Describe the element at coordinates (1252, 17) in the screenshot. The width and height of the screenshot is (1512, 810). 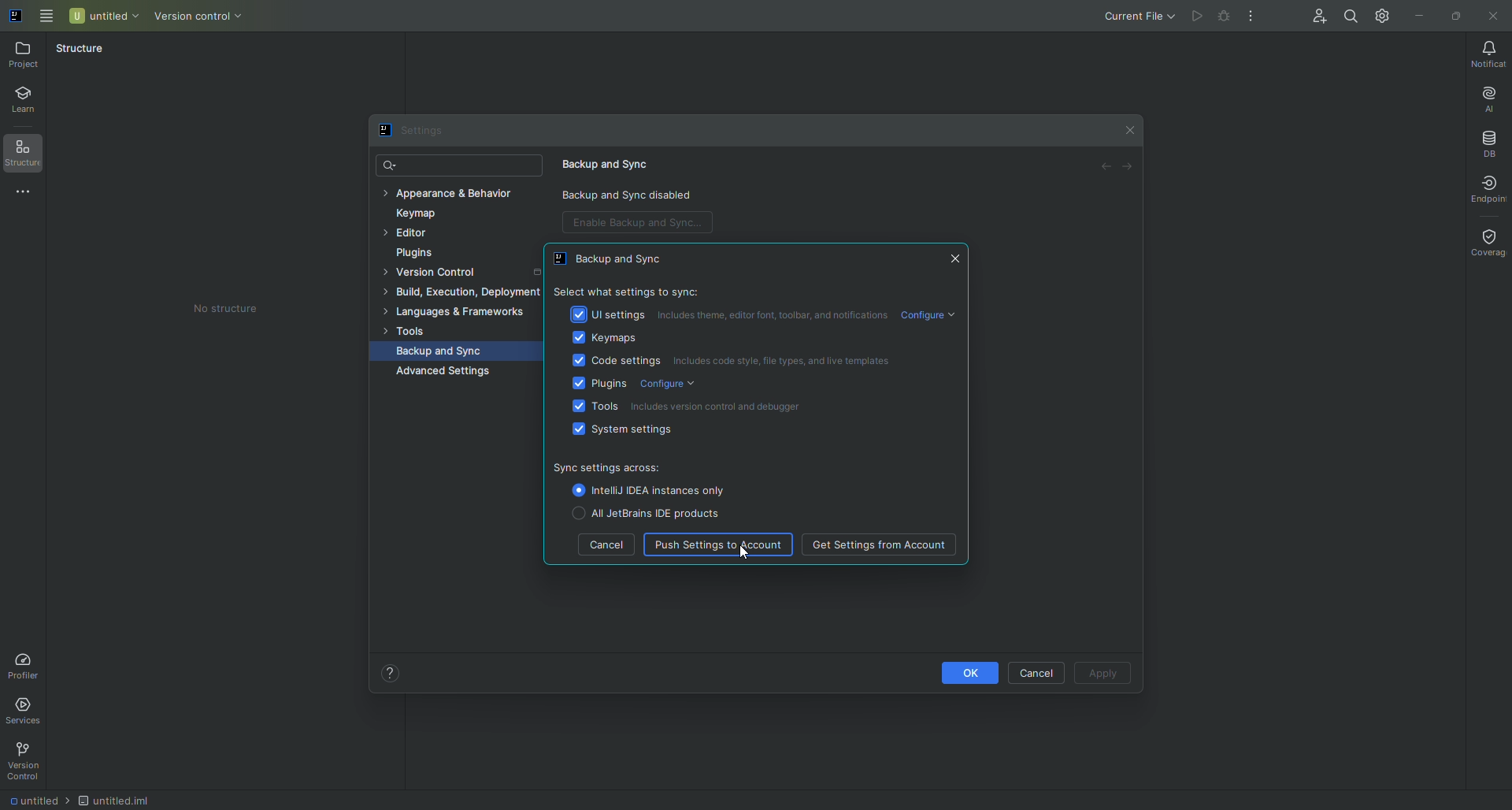
I see `More Actions` at that location.